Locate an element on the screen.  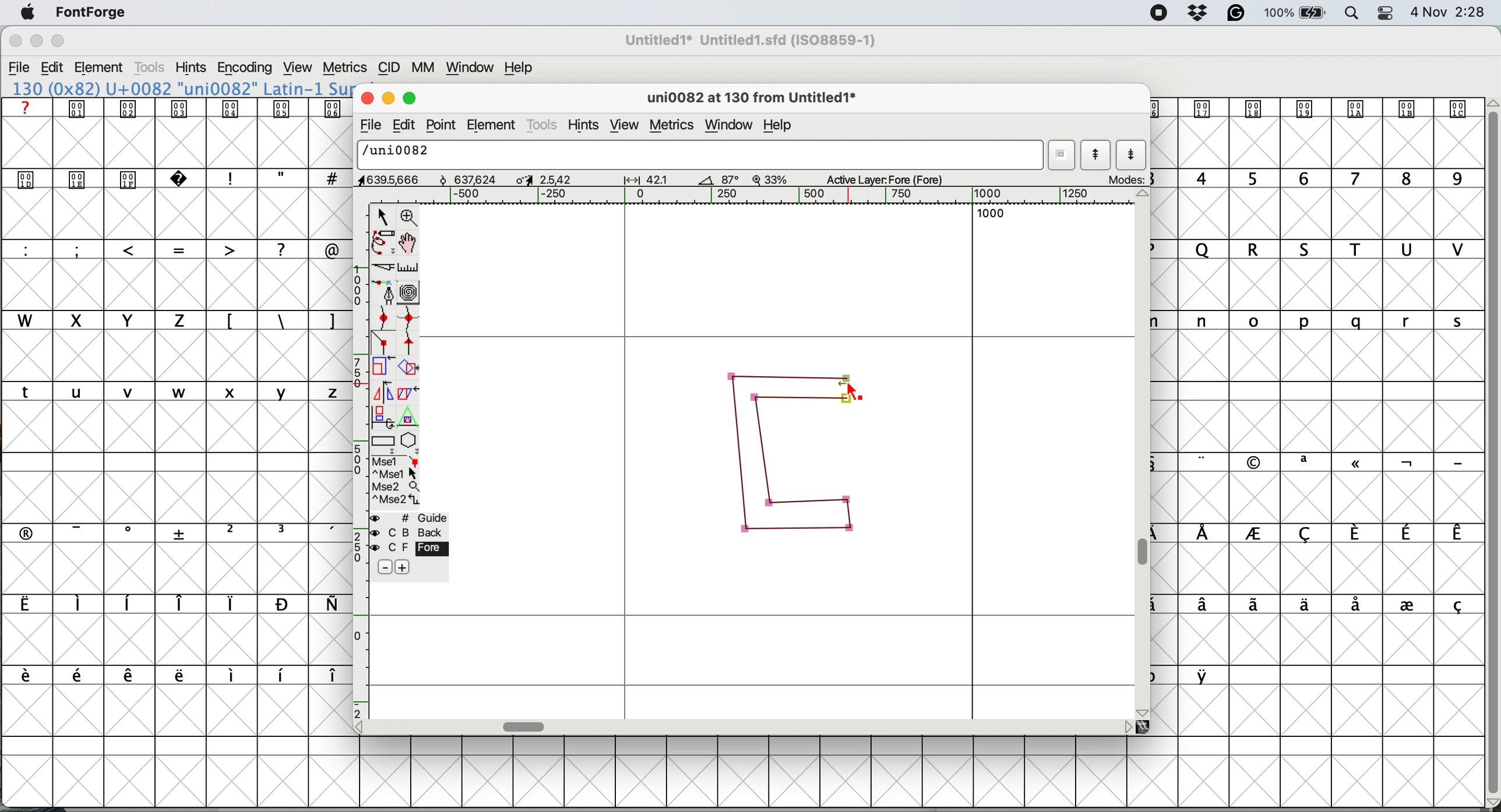
horizontal scroll bar is located at coordinates (526, 726).